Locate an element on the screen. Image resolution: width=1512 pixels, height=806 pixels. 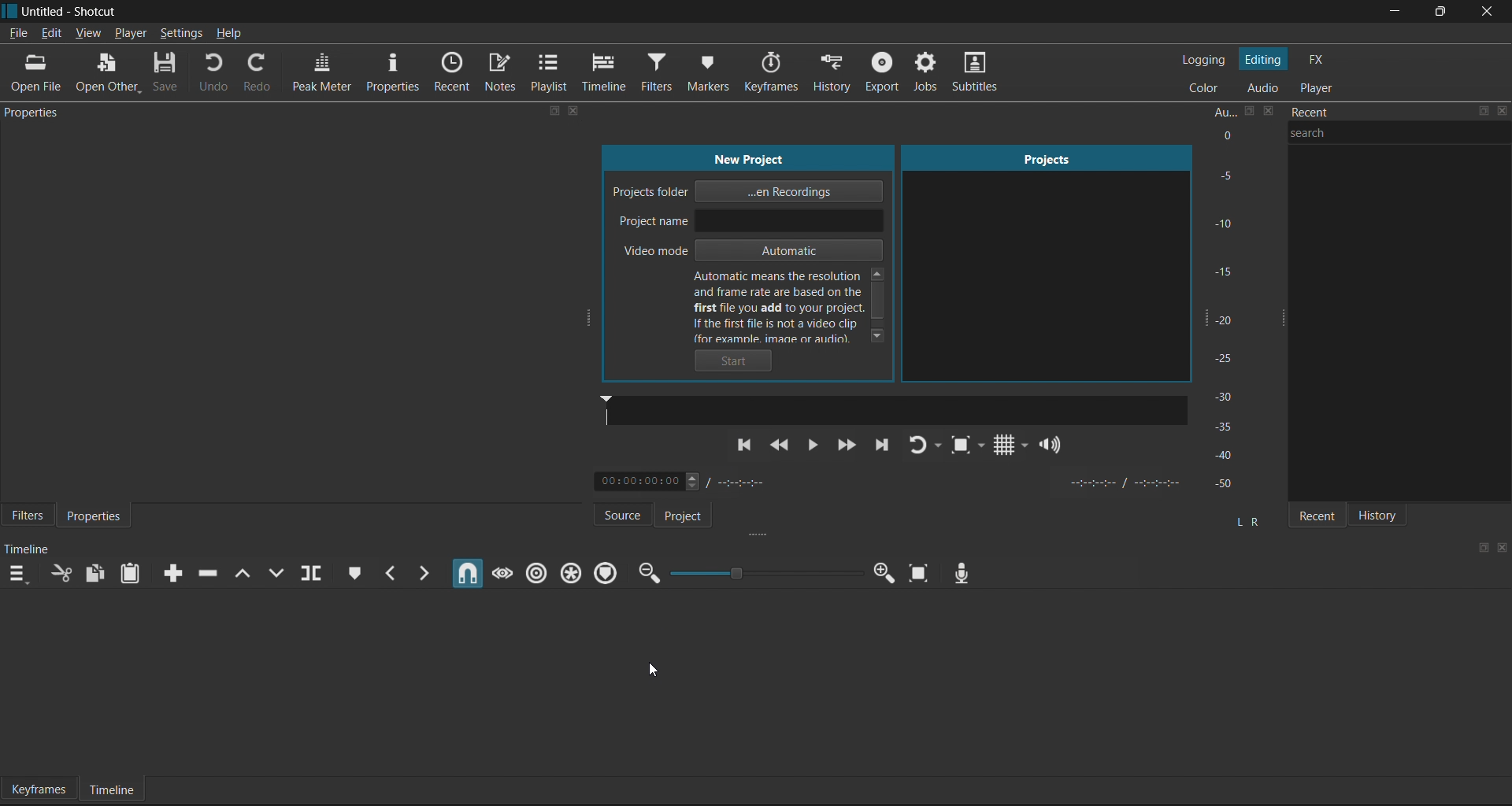
Timeline is located at coordinates (608, 72).